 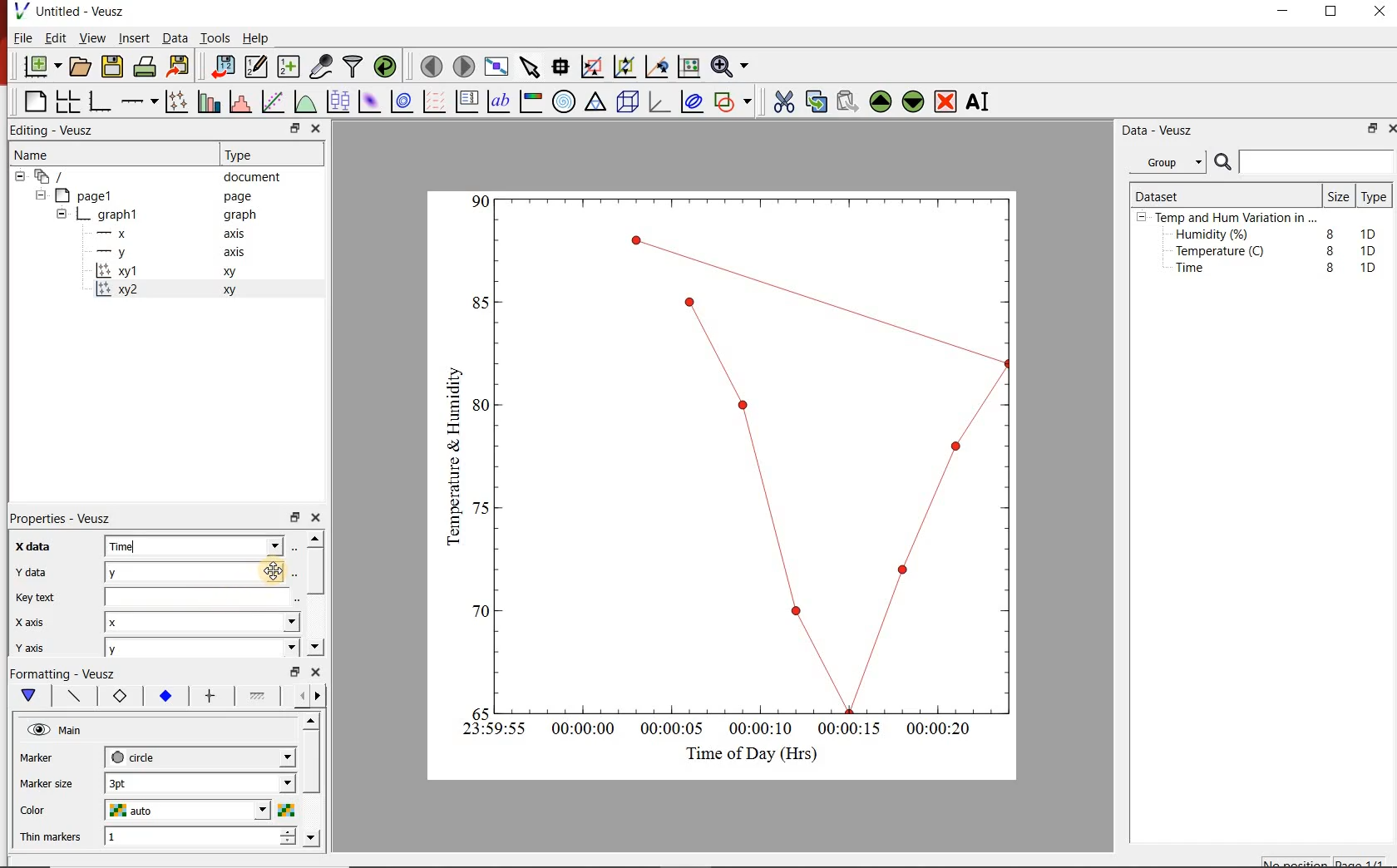 I want to click on Main, so click(x=82, y=732).